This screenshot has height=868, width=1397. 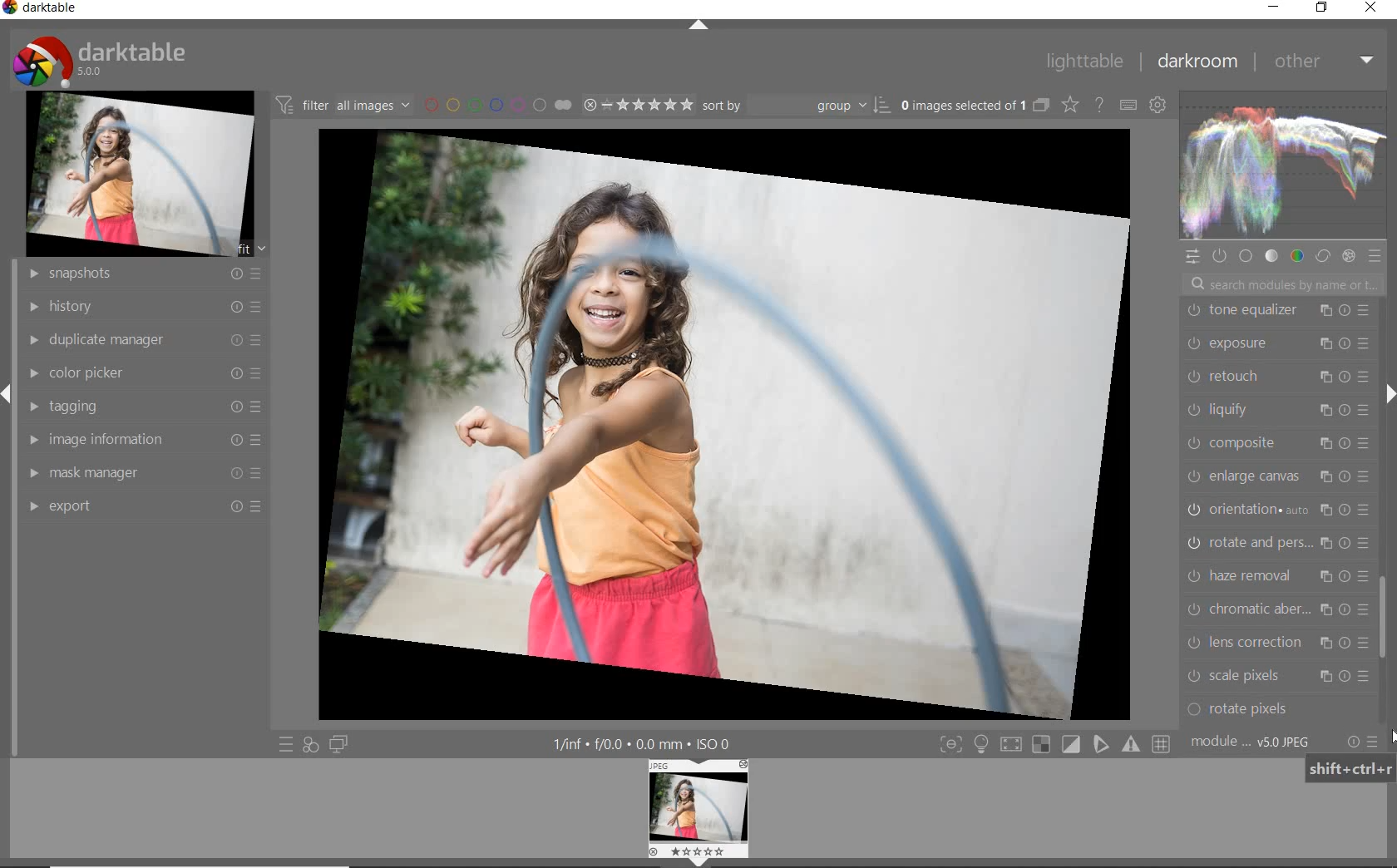 I want to click on lens correction, so click(x=1273, y=643).